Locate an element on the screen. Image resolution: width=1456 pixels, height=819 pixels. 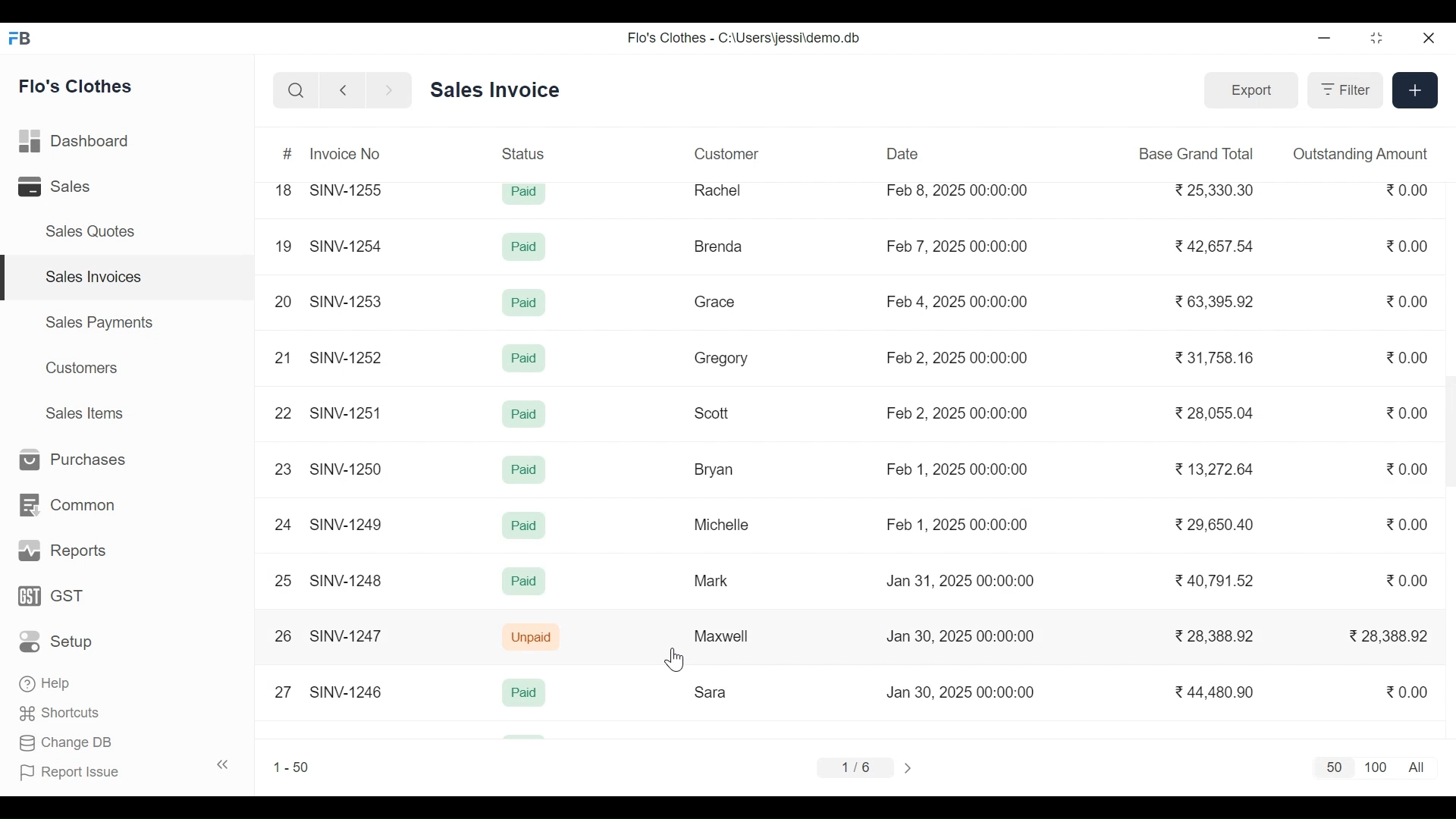
Paid is located at coordinates (525, 526).